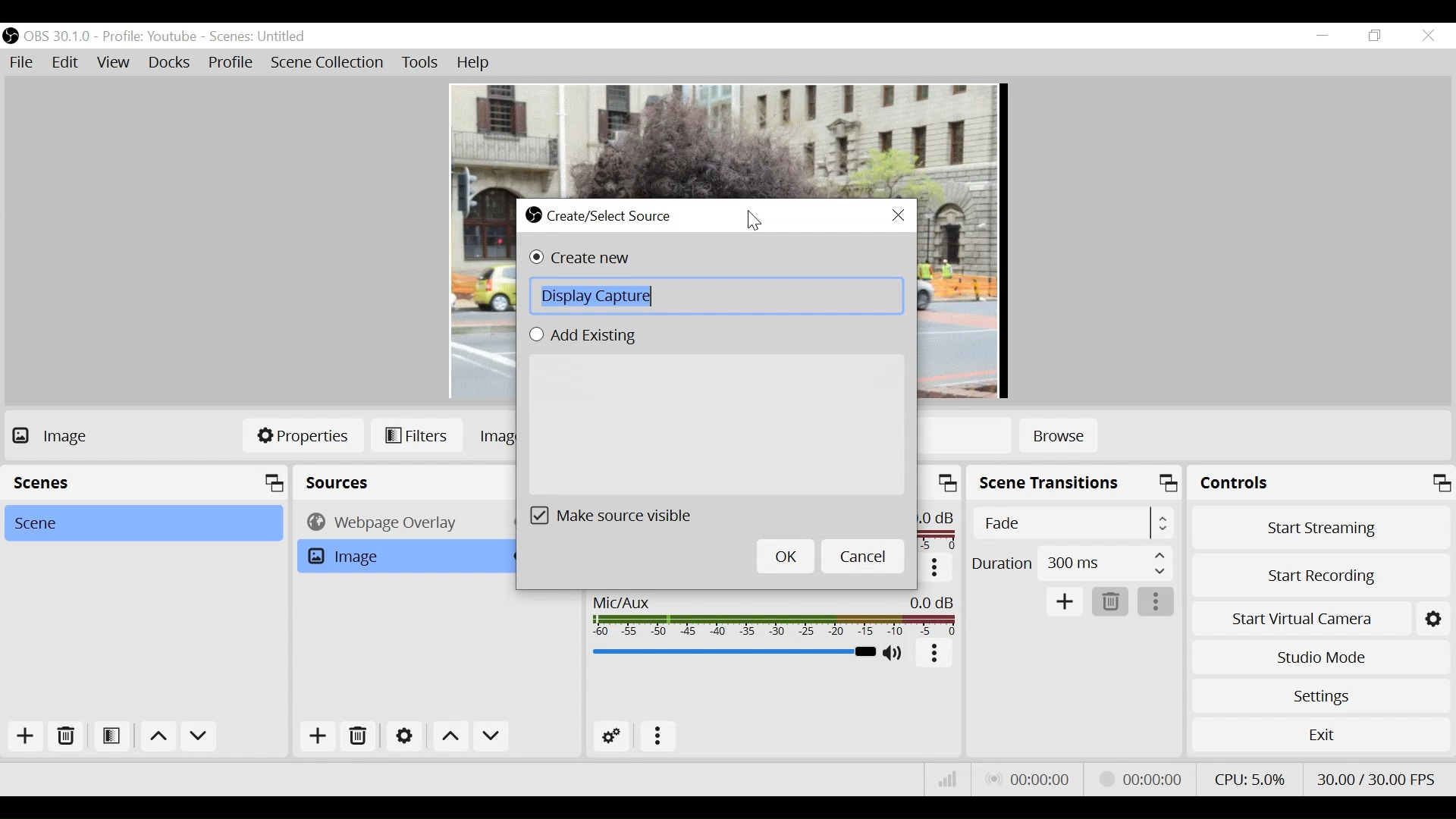 The image size is (1456, 819). Describe the element at coordinates (79, 435) in the screenshot. I see `No source selected` at that location.